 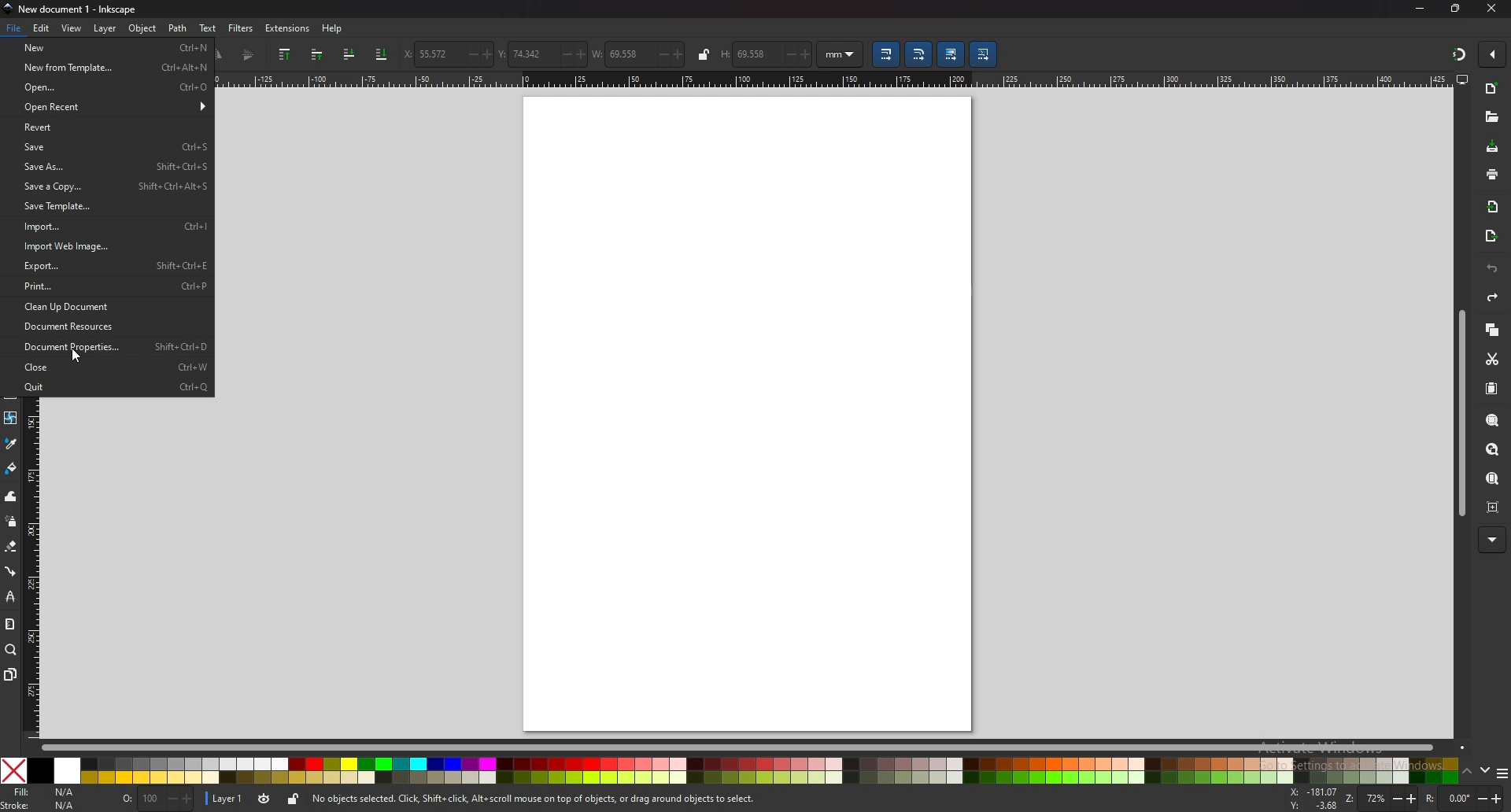 I want to click on redo, so click(x=1493, y=297).